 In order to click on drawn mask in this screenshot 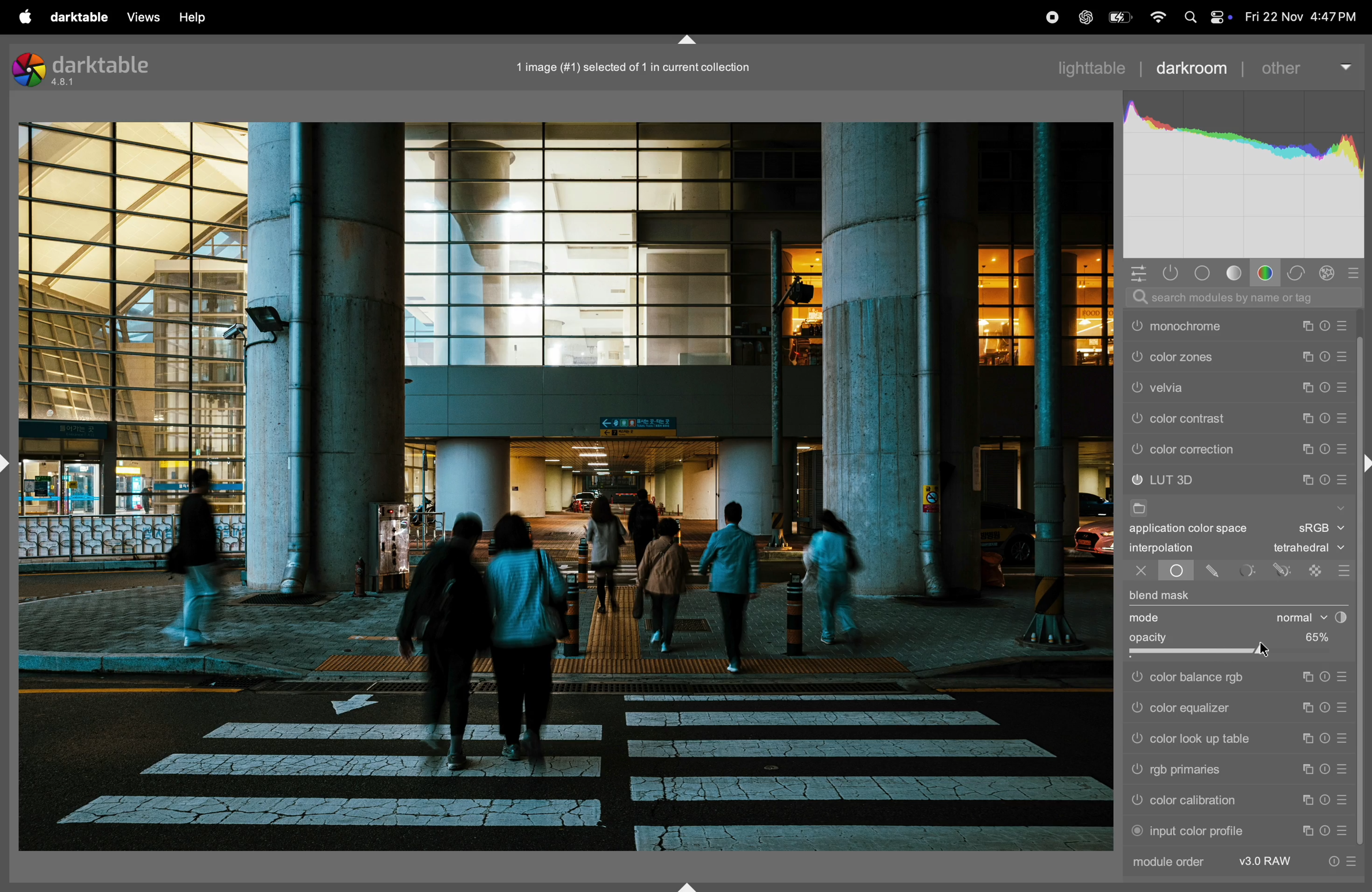, I will do `click(1215, 573)`.